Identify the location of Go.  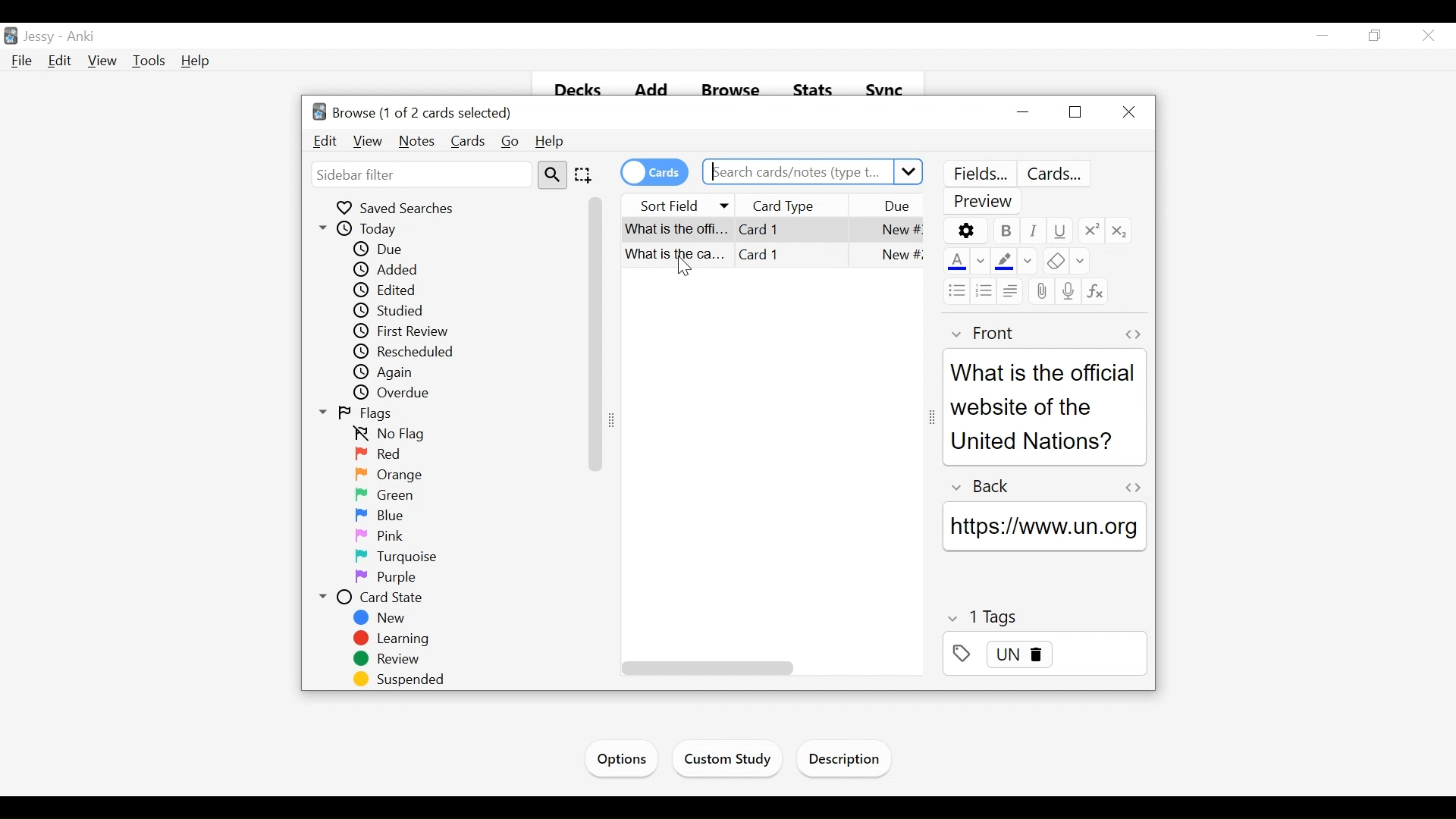
(511, 142).